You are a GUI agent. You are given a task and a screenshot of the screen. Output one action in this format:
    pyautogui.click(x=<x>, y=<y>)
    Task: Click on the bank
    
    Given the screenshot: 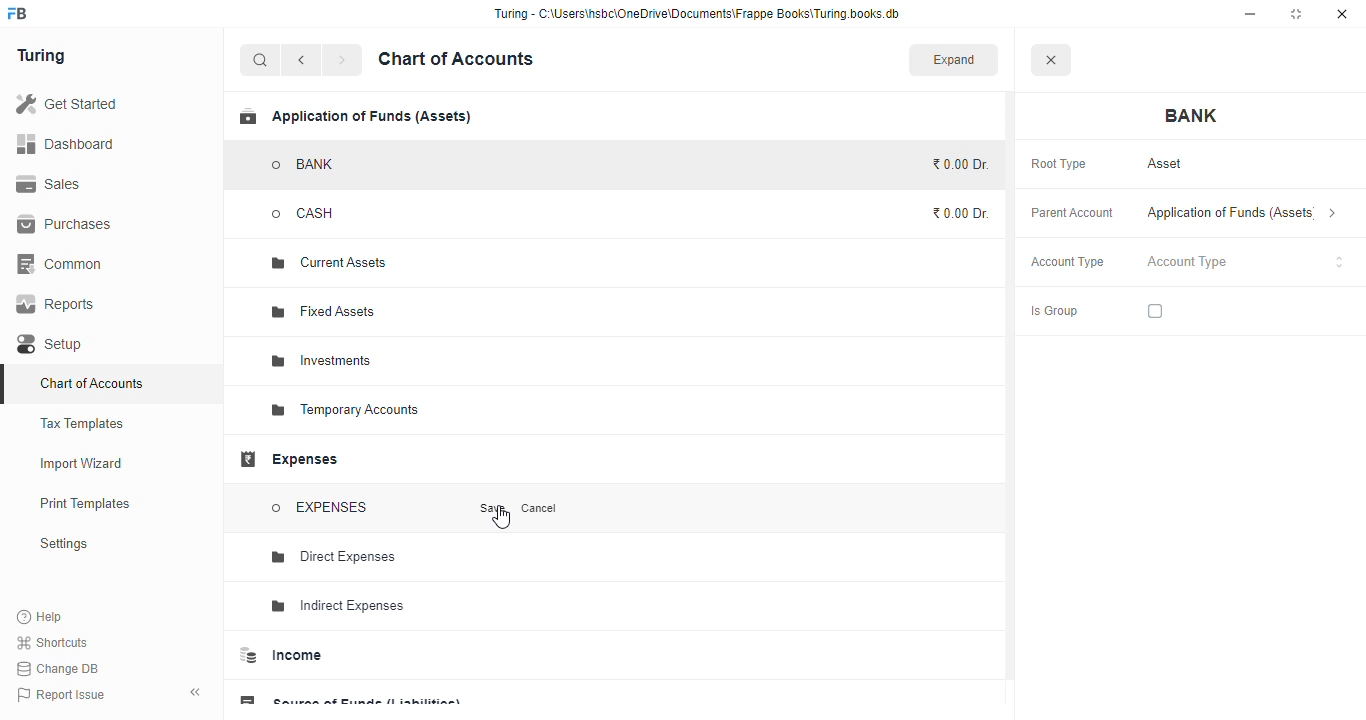 What is the action you would take?
    pyautogui.click(x=1192, y=116)
    